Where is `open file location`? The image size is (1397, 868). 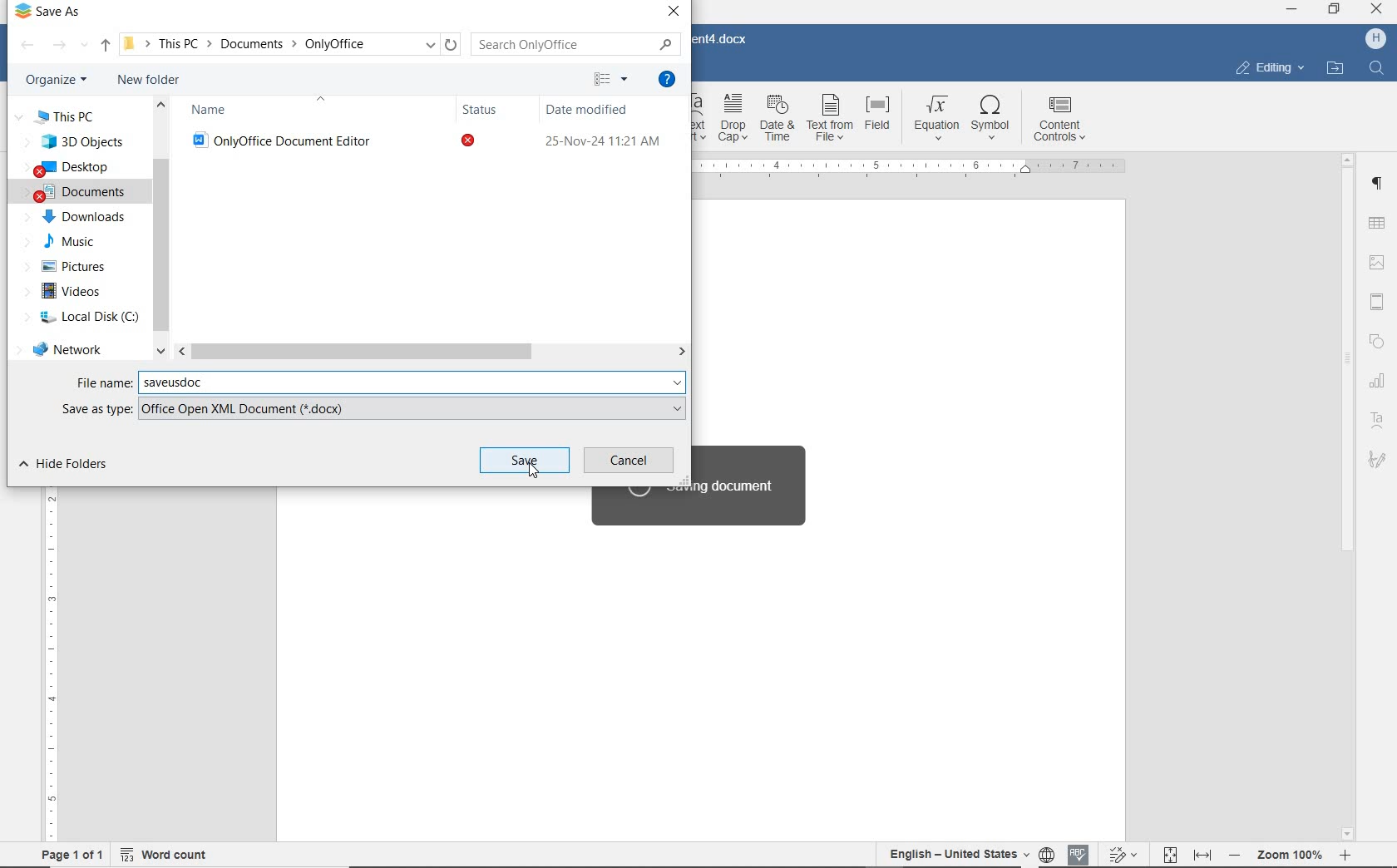
open file location is located at coordinates (1336, 70).